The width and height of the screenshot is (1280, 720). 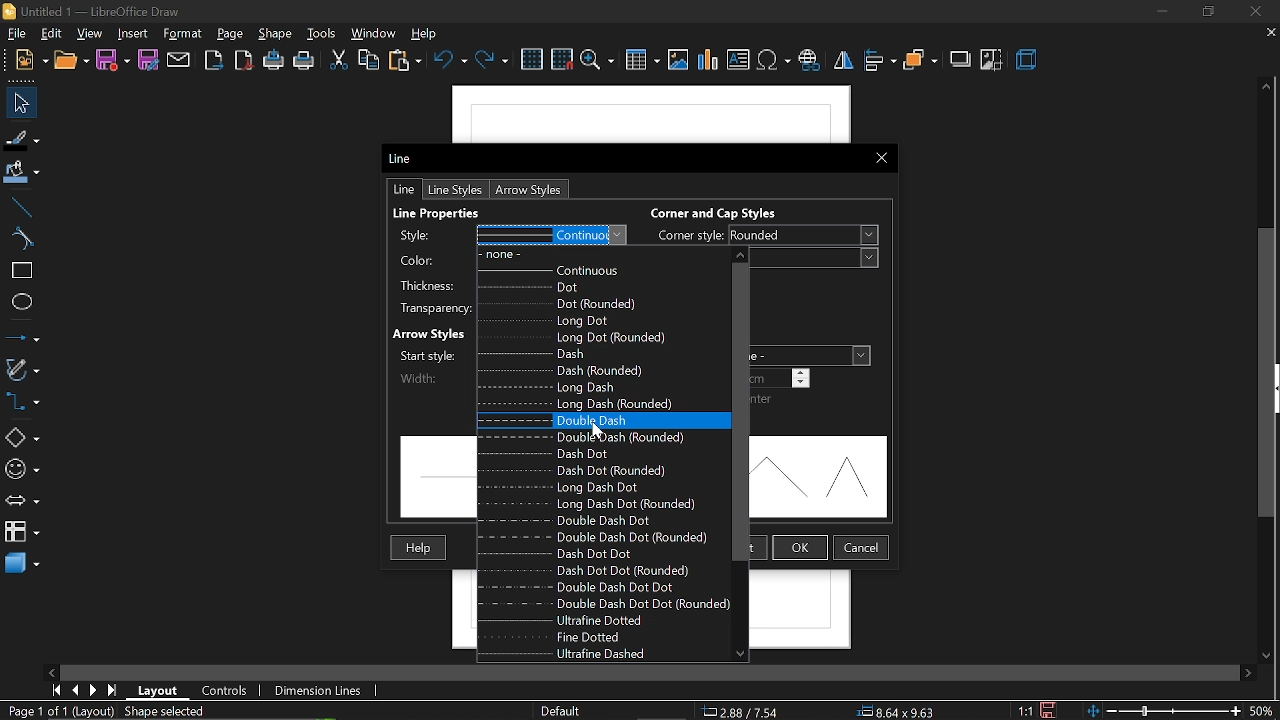 What do you see at coordinates (164, 712) in the screenshot?
I see `shape selected` at bounding box center [164, 712].